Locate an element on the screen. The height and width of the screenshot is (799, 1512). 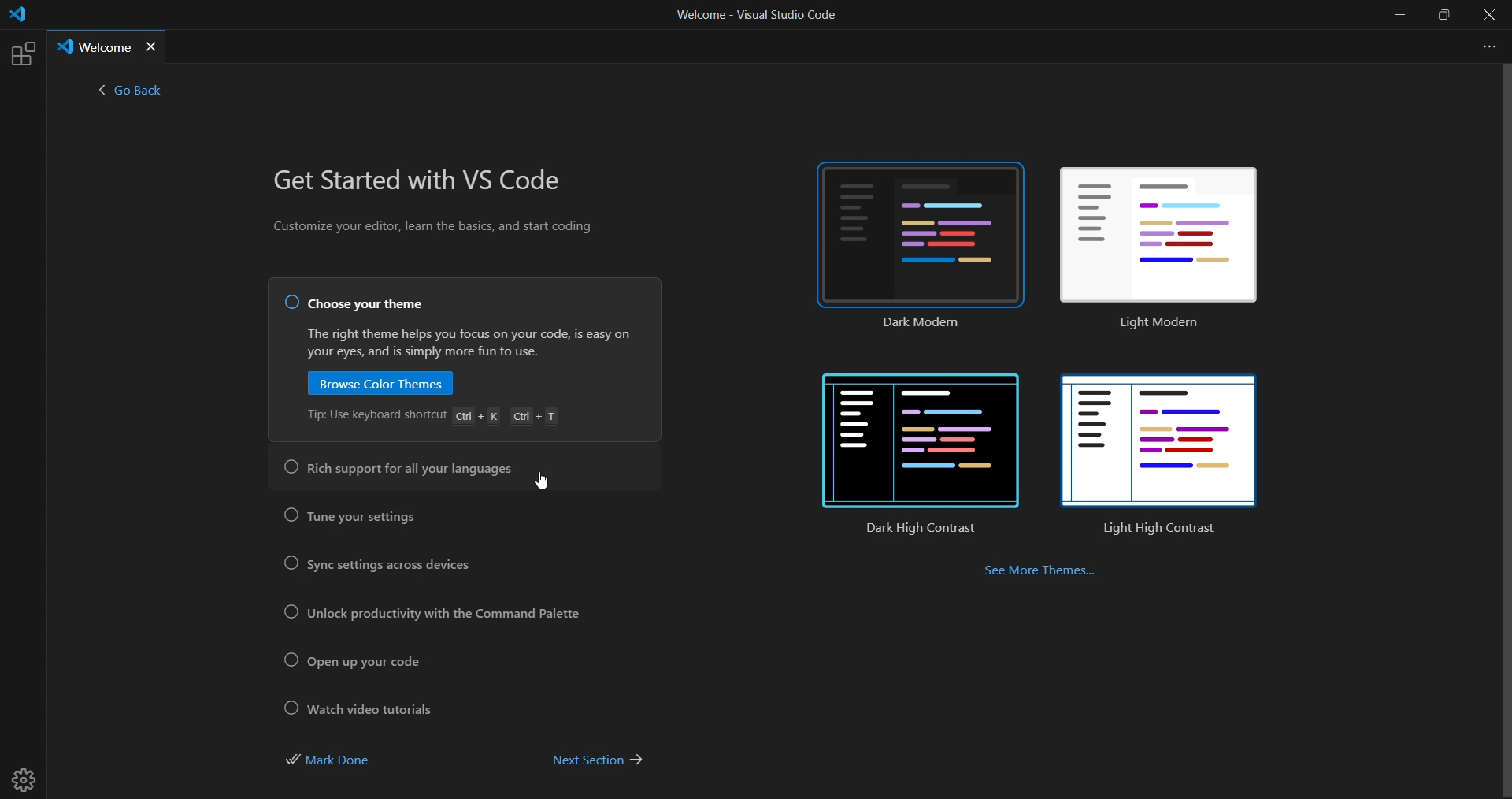
dark modern is located at coordinates (919, 324).